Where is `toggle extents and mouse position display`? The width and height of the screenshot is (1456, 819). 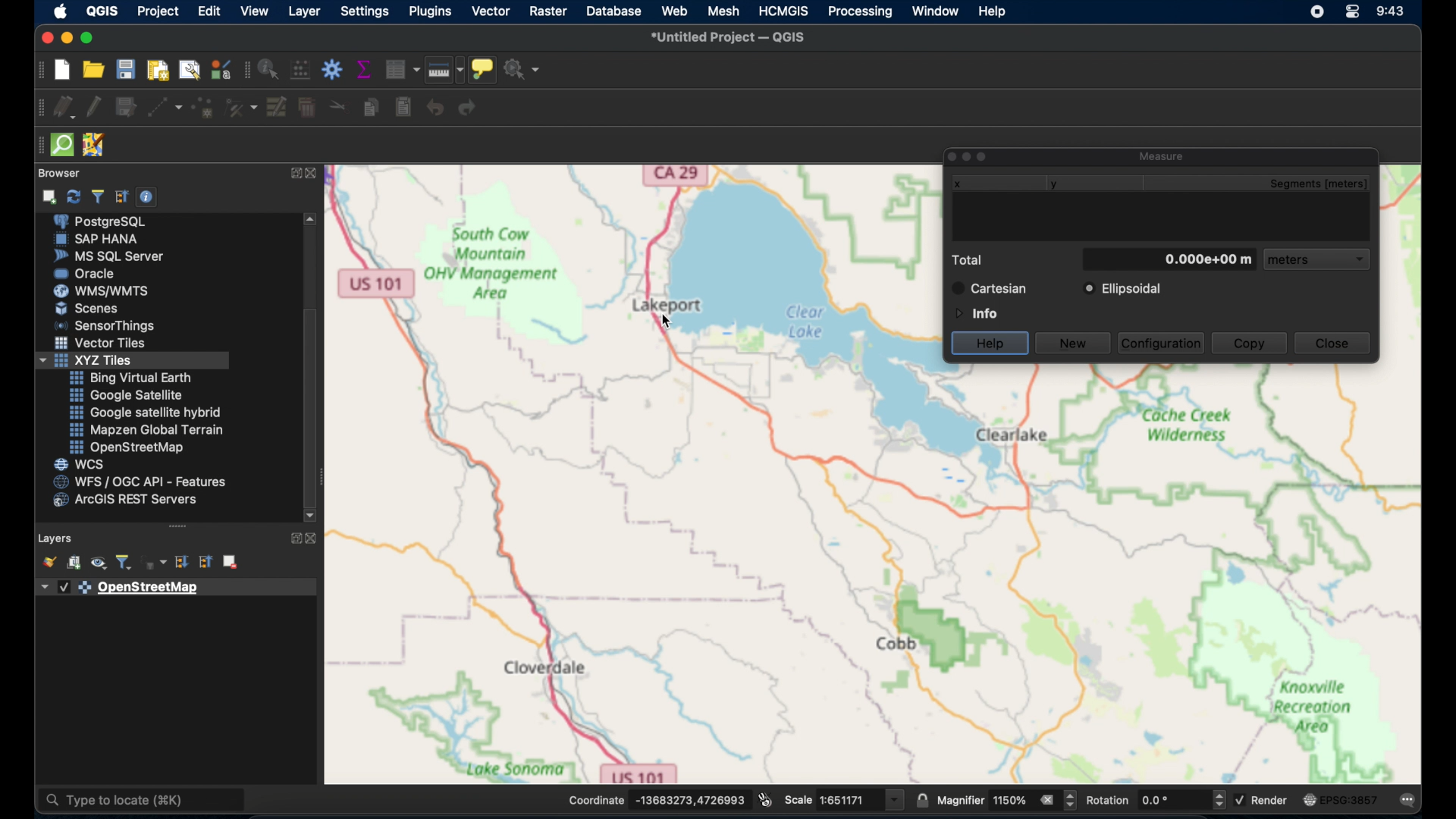 toggle extents and mouse position display is located at coordinates (765, 799).